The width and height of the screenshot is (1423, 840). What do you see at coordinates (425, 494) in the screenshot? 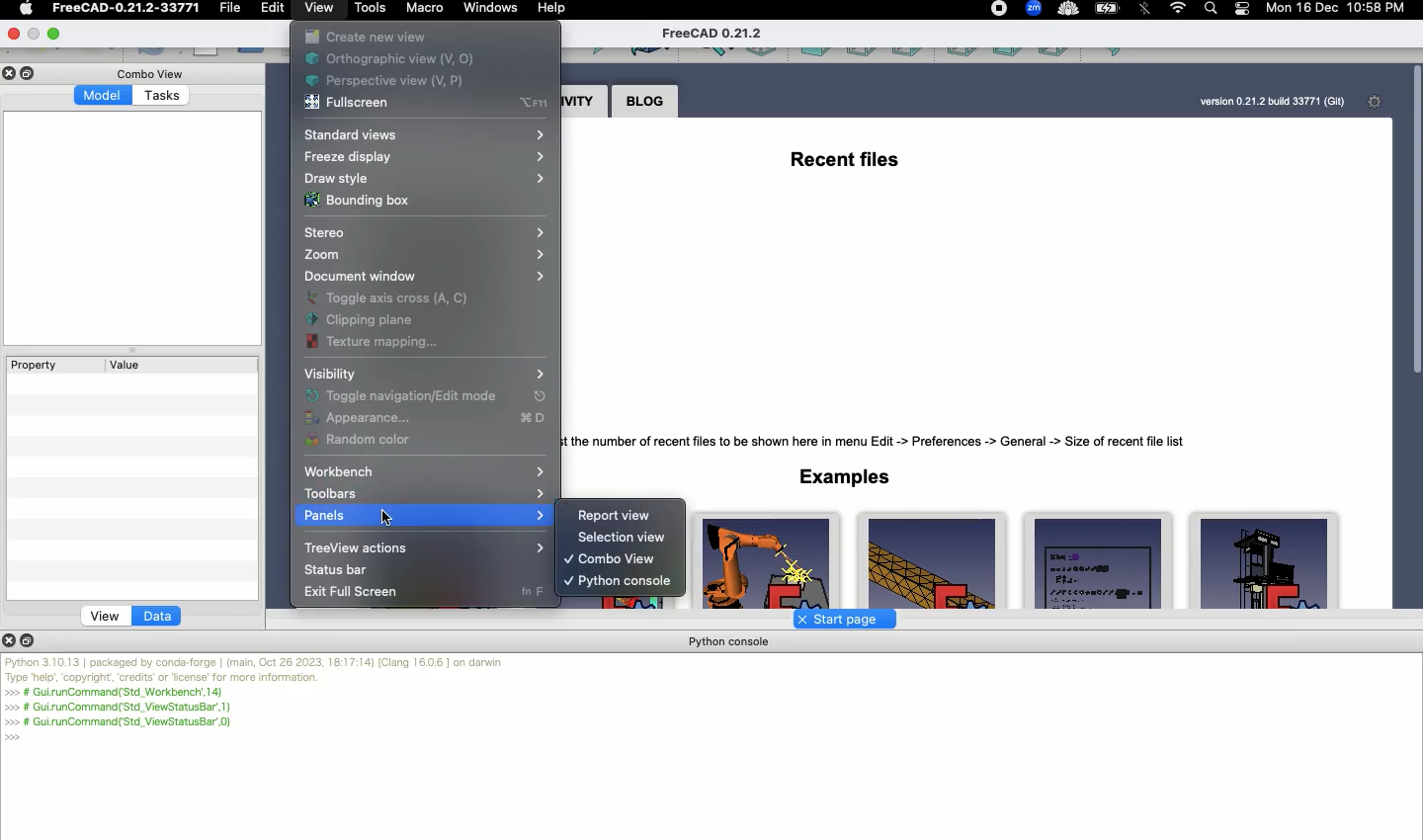
I see `Toolbars` at bounding box center [425, 494].